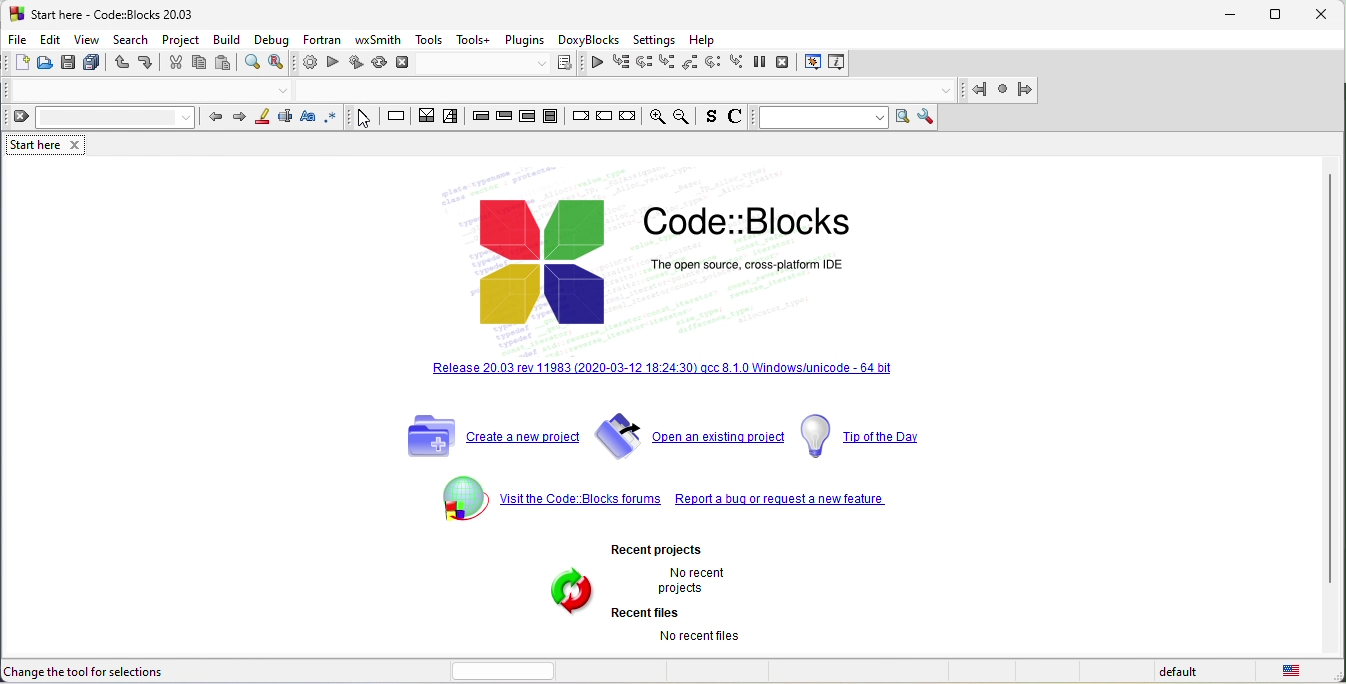 This screenshot has width=1346, height=684. I want to click on debug, so click(271, 41).